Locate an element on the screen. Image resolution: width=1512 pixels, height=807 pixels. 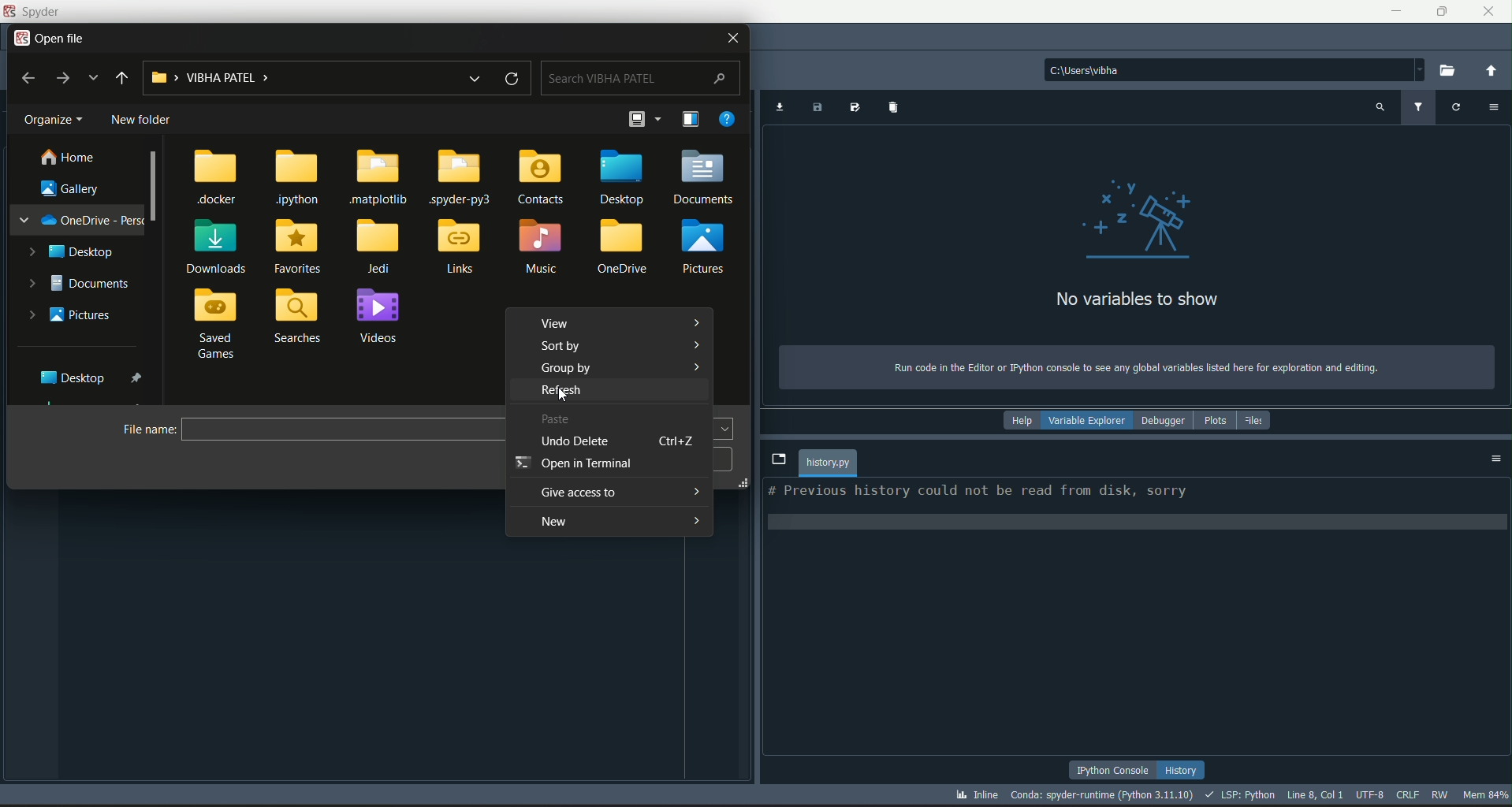
browse a working directory is located at coordinates (1449, 71).